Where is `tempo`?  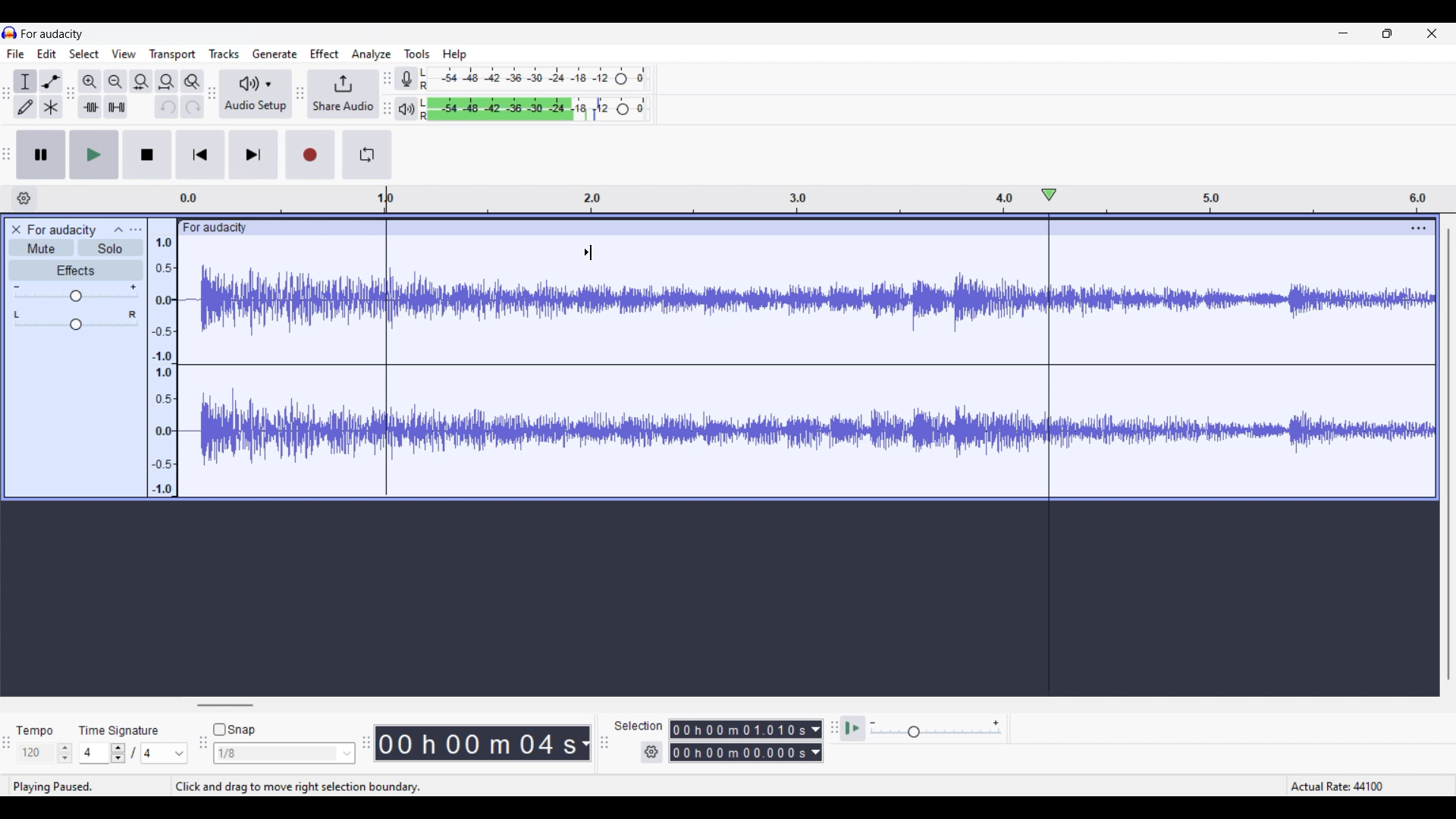
tempo is located at coordinates (35, 731).